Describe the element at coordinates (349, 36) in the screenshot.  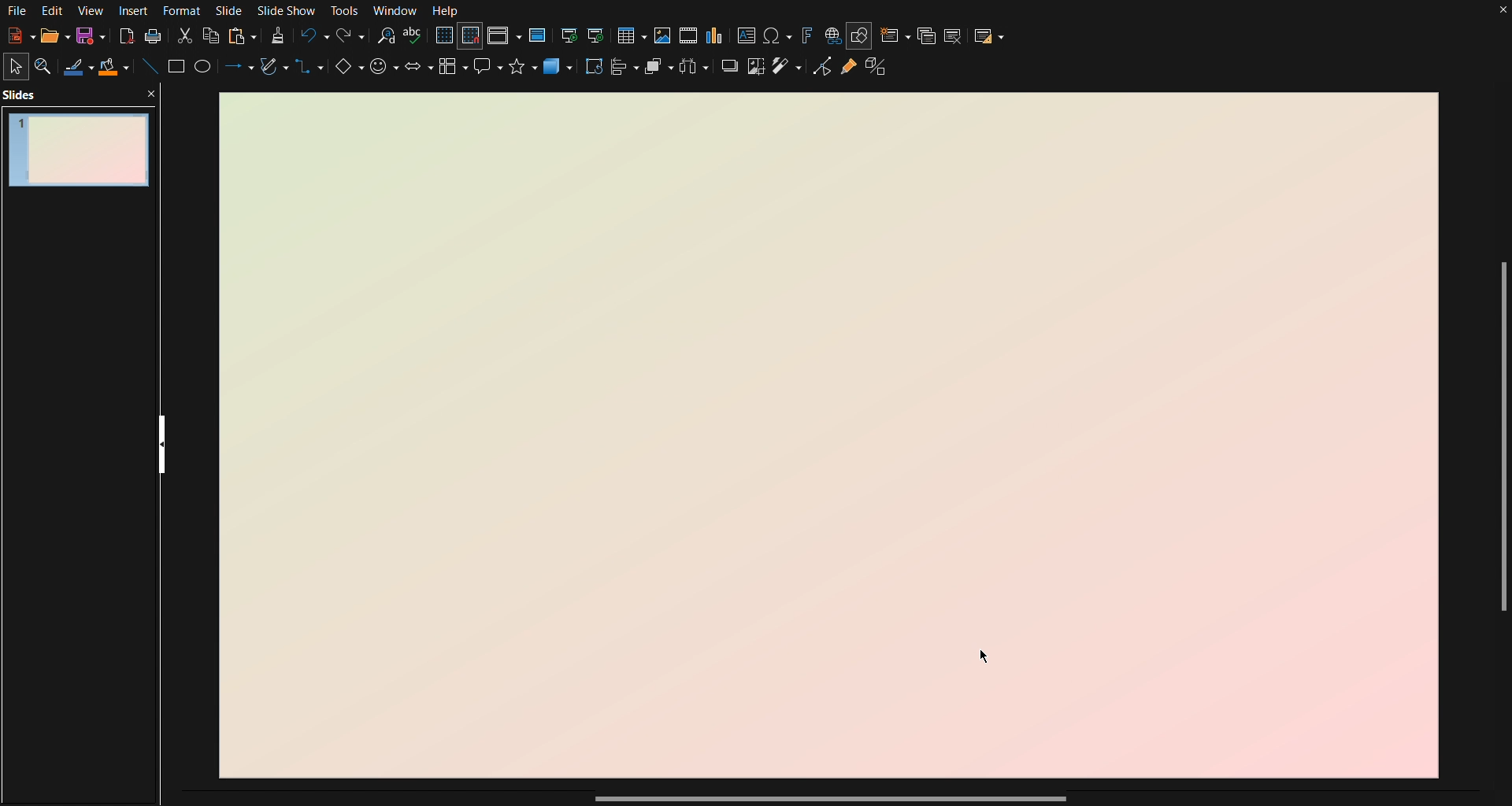
I see `Redo` at that location.